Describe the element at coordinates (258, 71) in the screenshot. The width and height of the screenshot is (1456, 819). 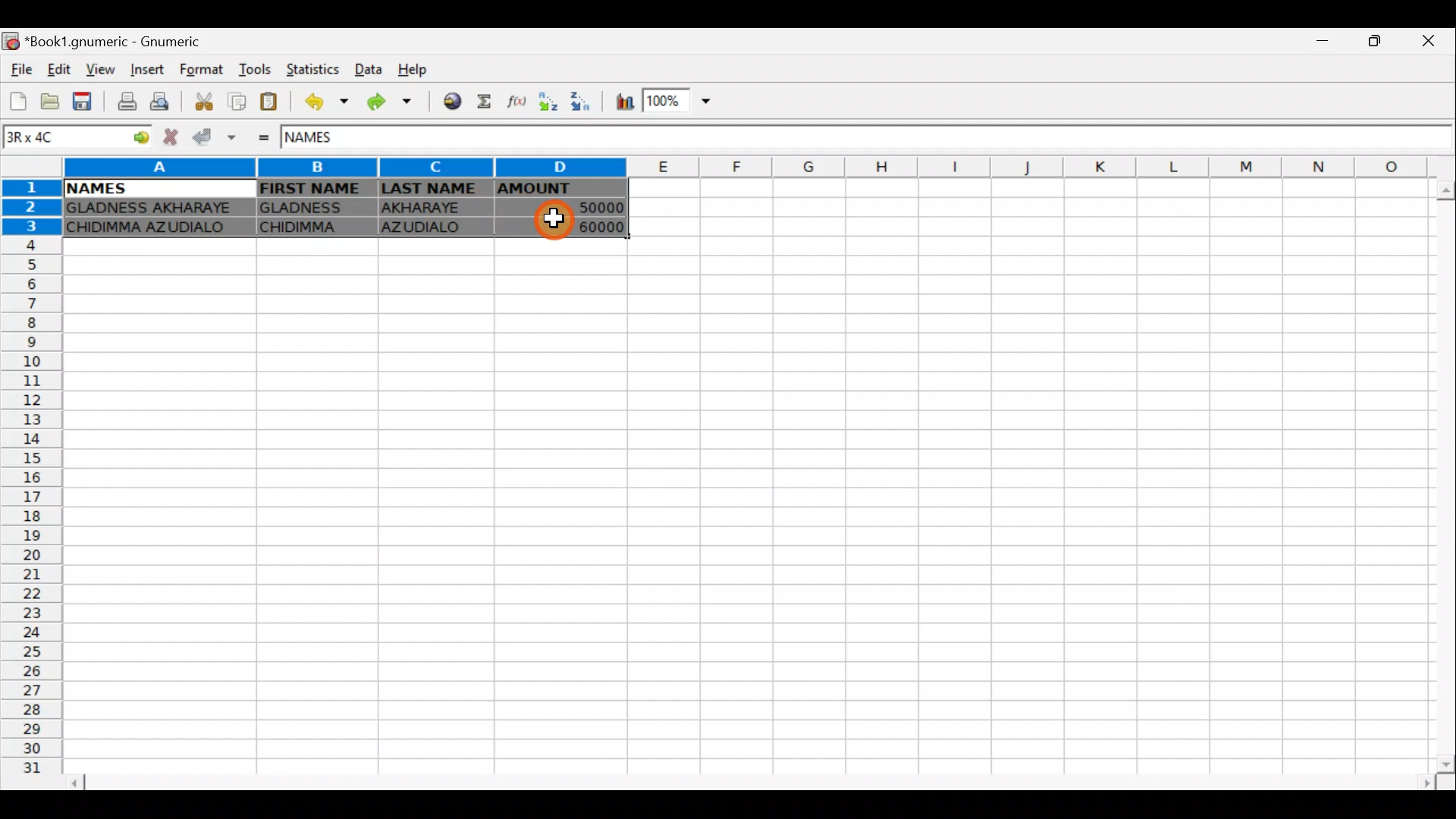
I see `Tools` at that location.